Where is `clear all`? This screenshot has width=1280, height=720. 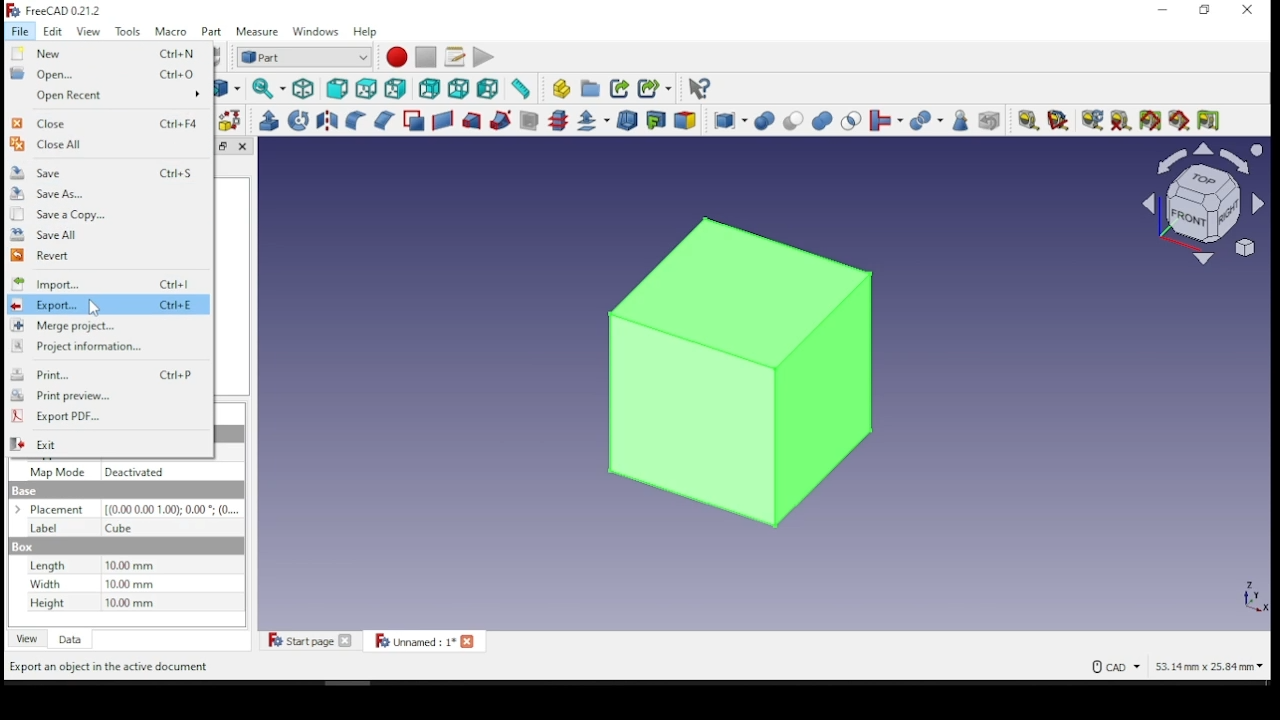 clear all is located at coordinates (1120, 119).